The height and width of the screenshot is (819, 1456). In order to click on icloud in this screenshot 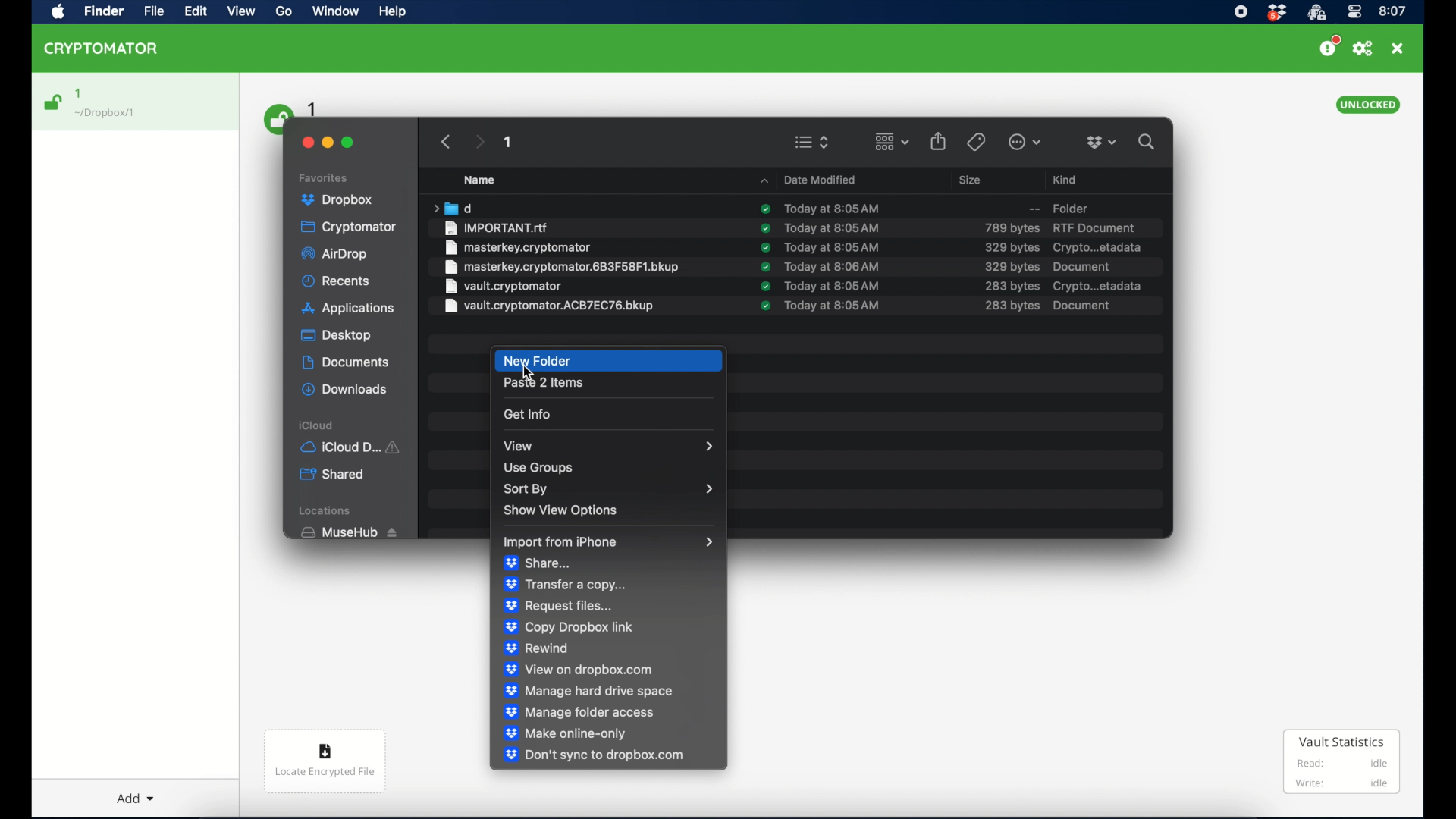, I will do `click(317, 425)`.